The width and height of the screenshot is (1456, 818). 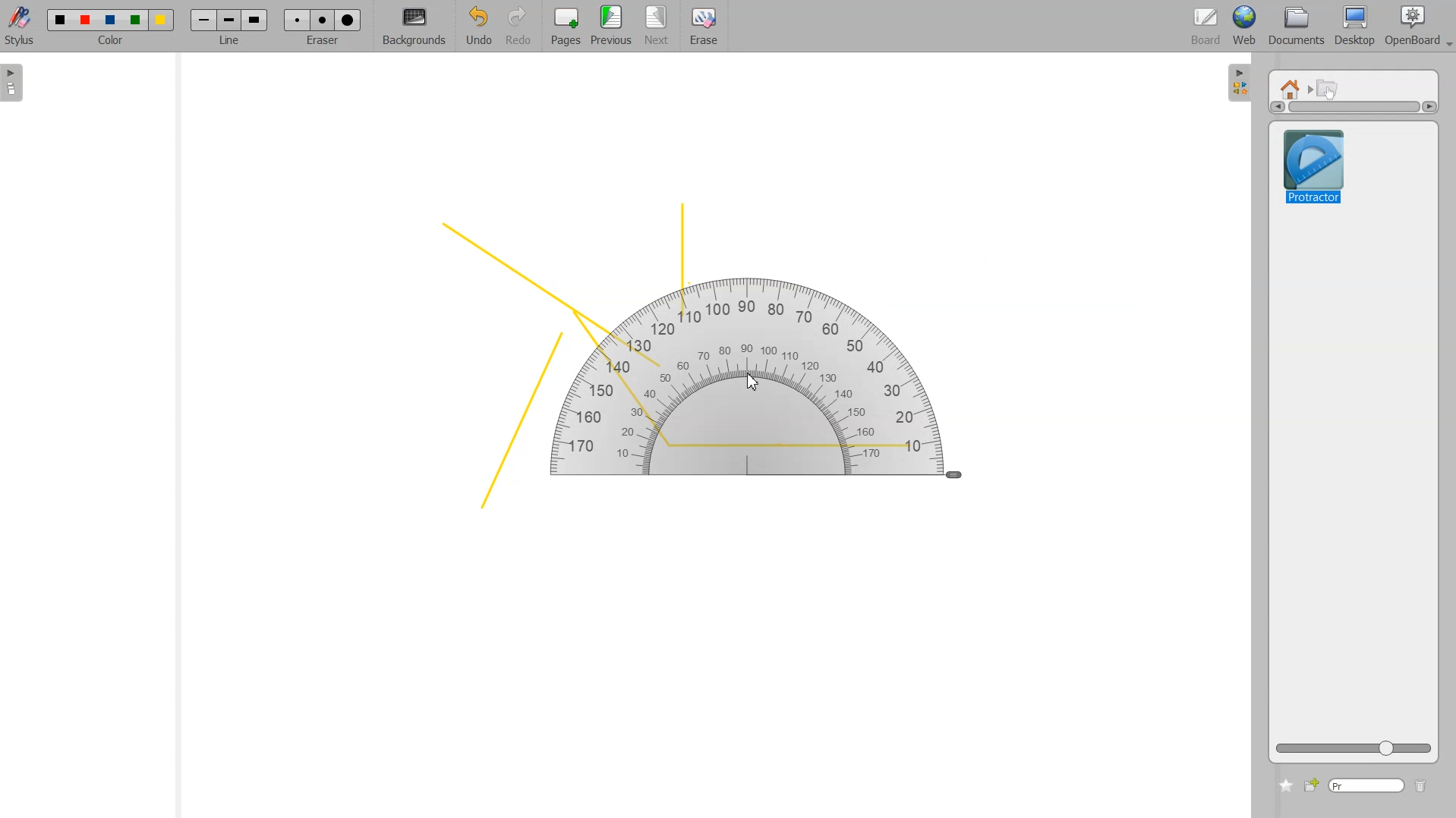 What do you see at coordinates (476, 27) in the screenshot?
I see `Undo` at bounding box center [476, 27].